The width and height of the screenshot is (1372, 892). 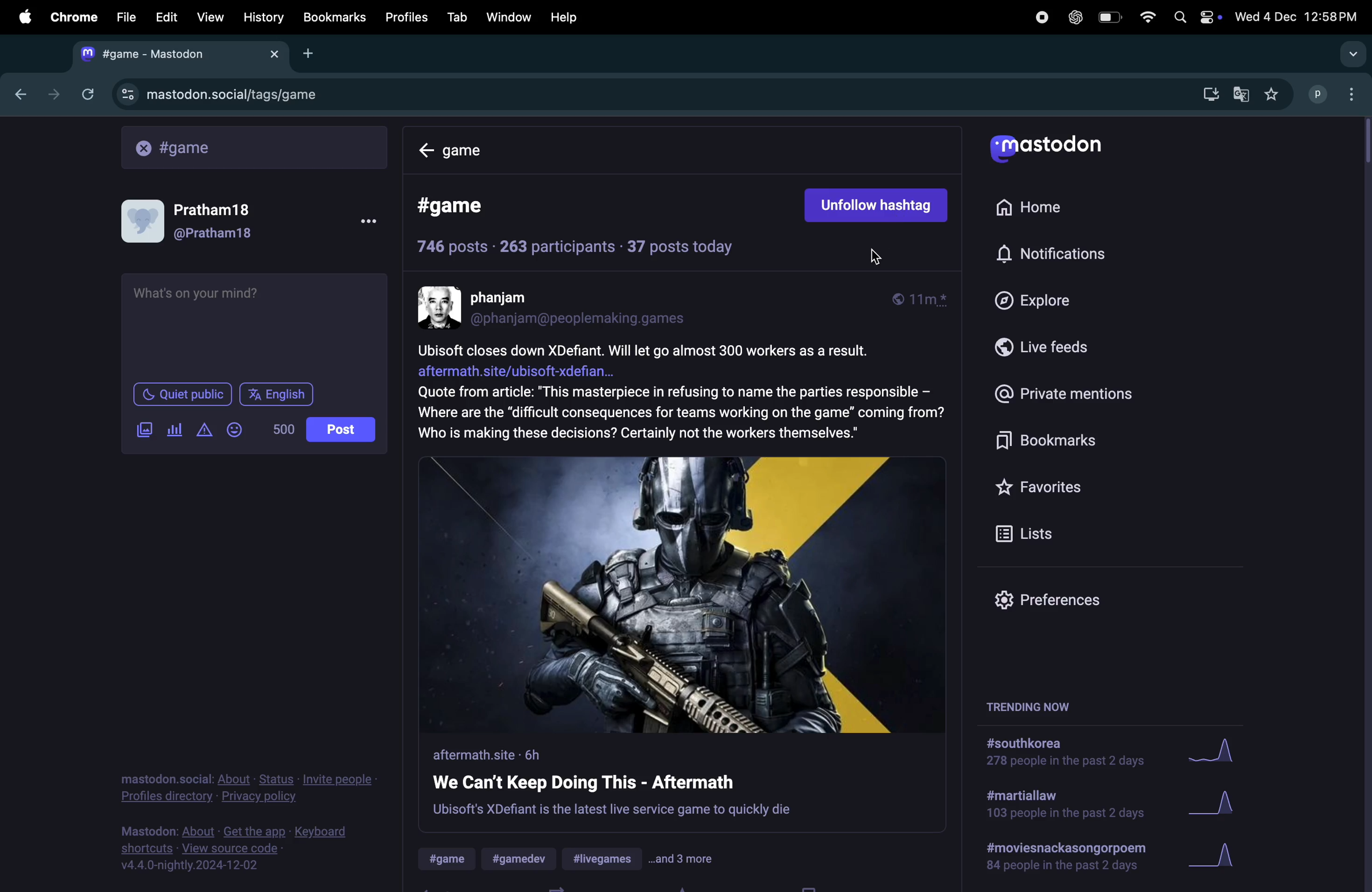 What do you see at coordinates (168, 14) in the screenshot?
I see `Edit` at bounding box center [168, 14].